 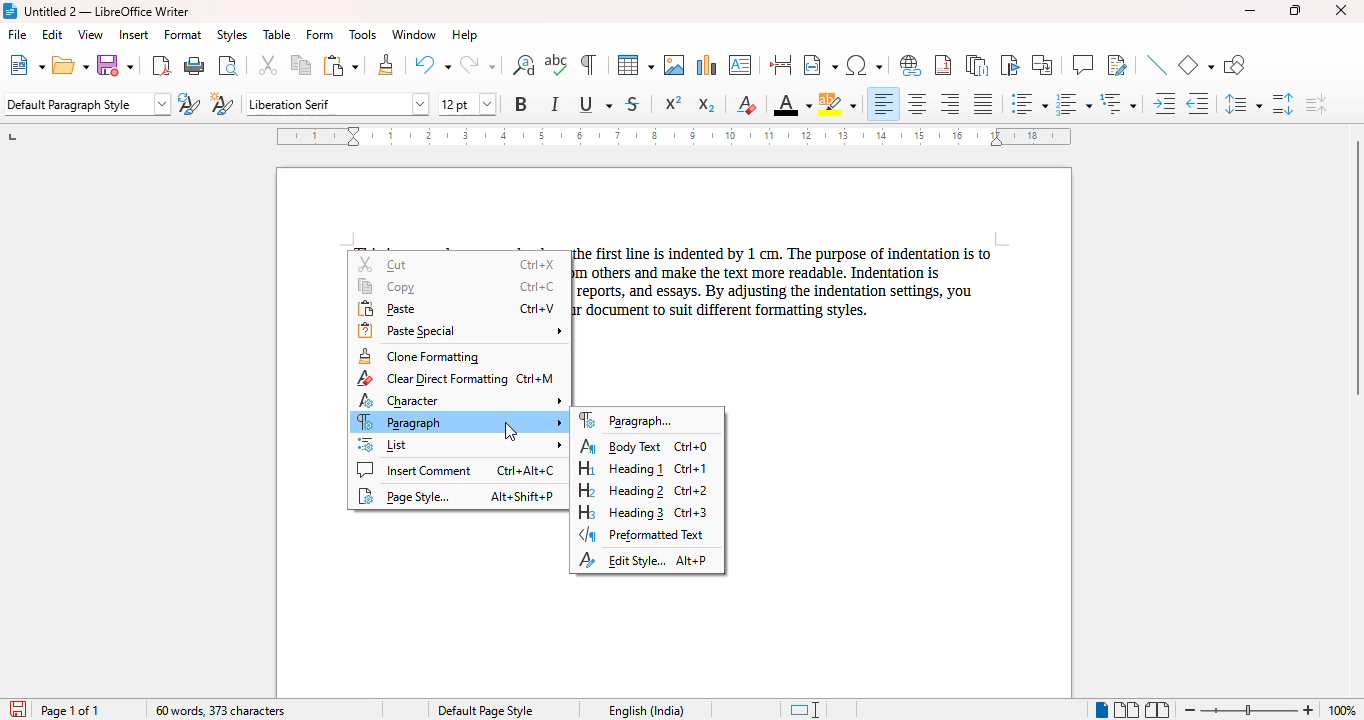 What do you see at coordinates (1283, 103) in the screenshot?
I see `increase paragraph spacing` at bounding box center [1283, 103].